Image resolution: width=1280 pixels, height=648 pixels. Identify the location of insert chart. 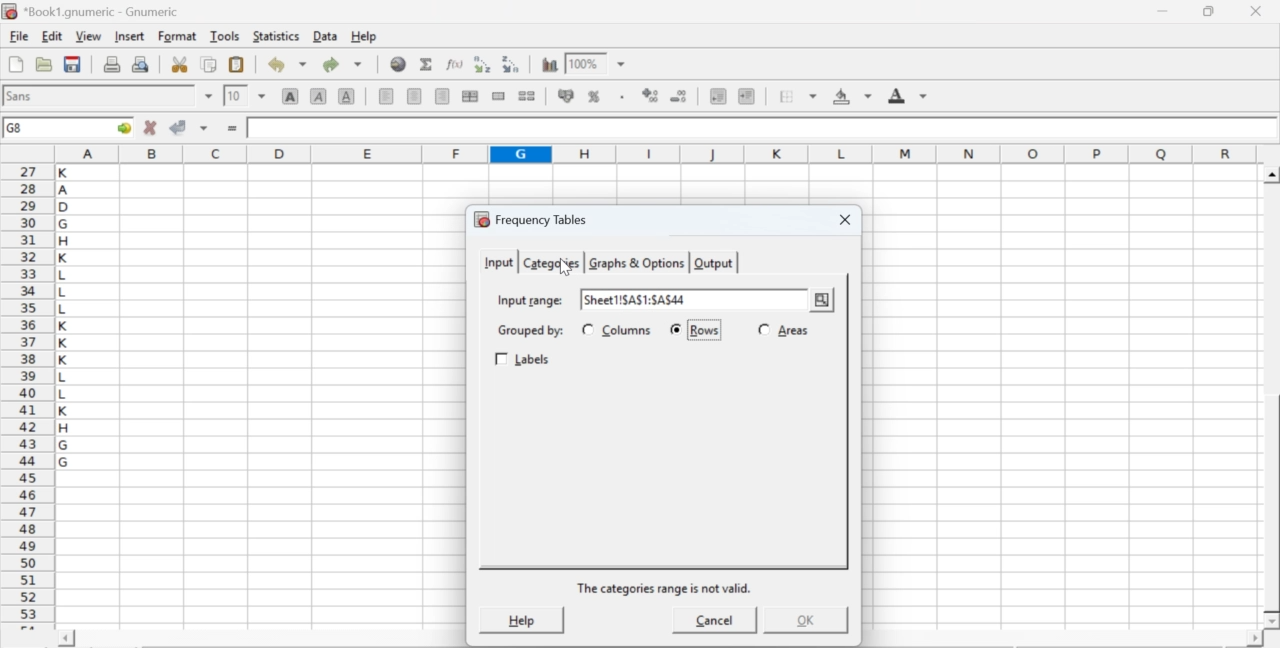
(550, 63).